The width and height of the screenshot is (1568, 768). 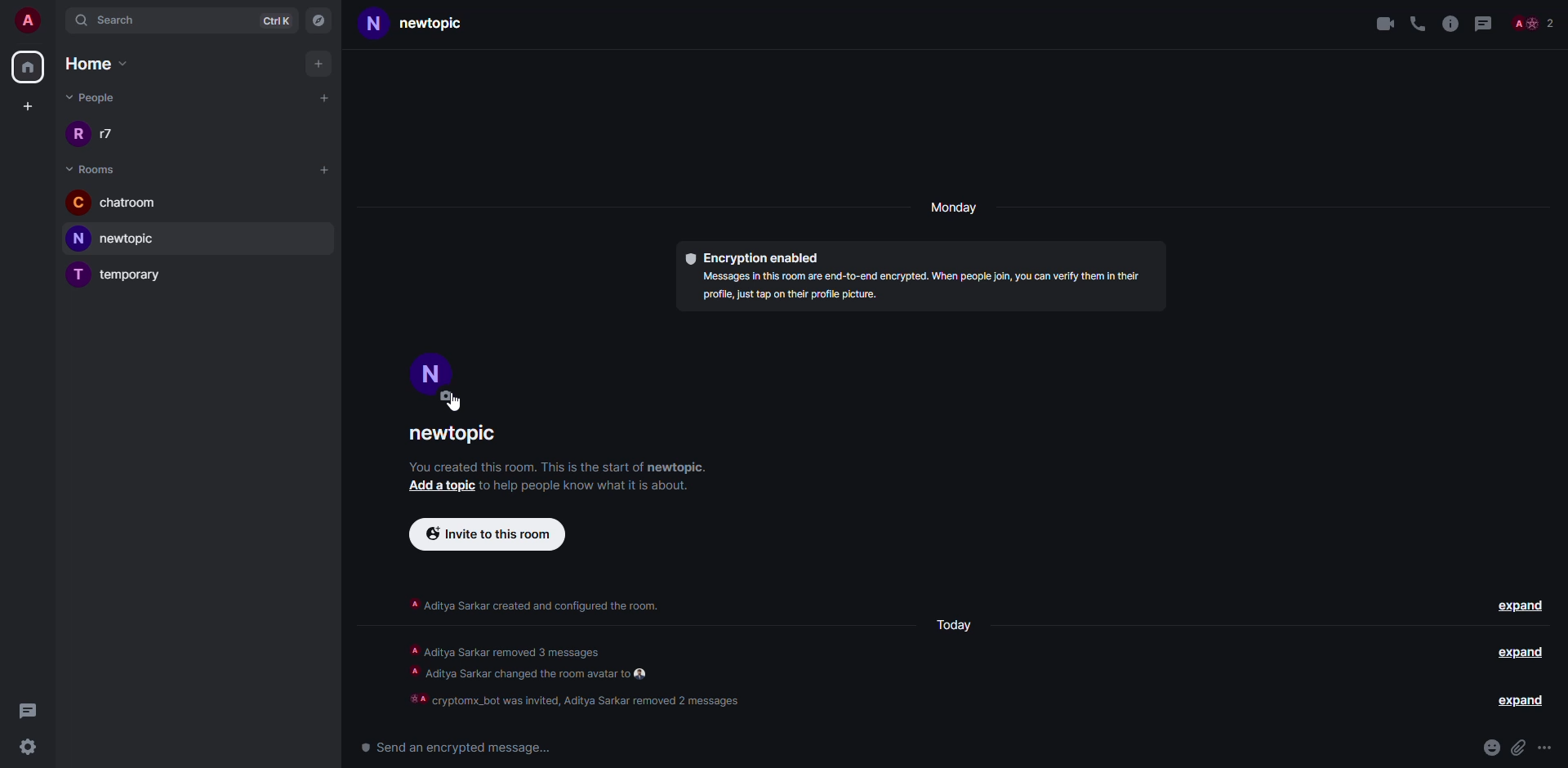 I want to click on create space, so click(x=30, y=105).